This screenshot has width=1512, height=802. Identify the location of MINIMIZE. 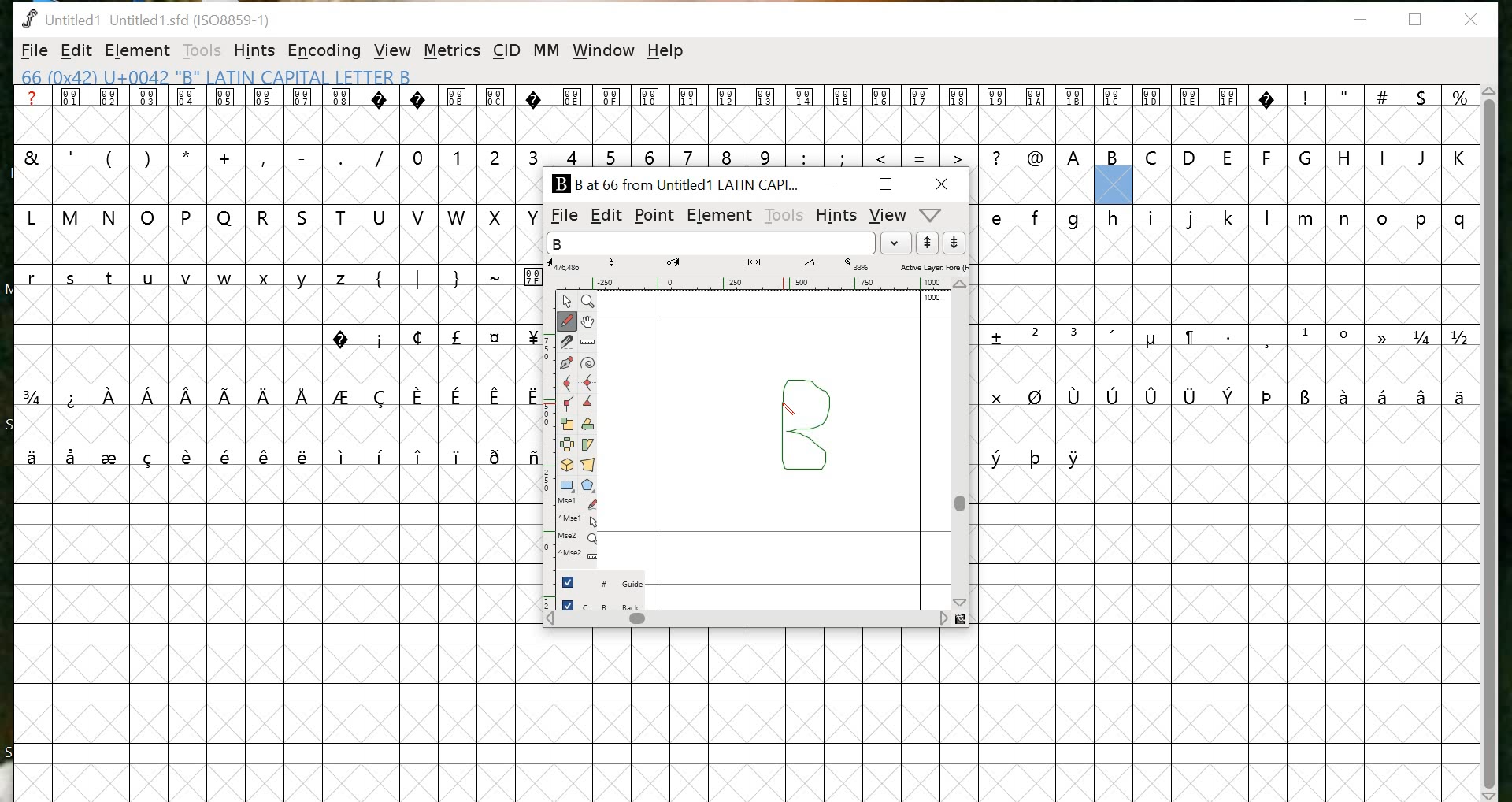
(833, 184).